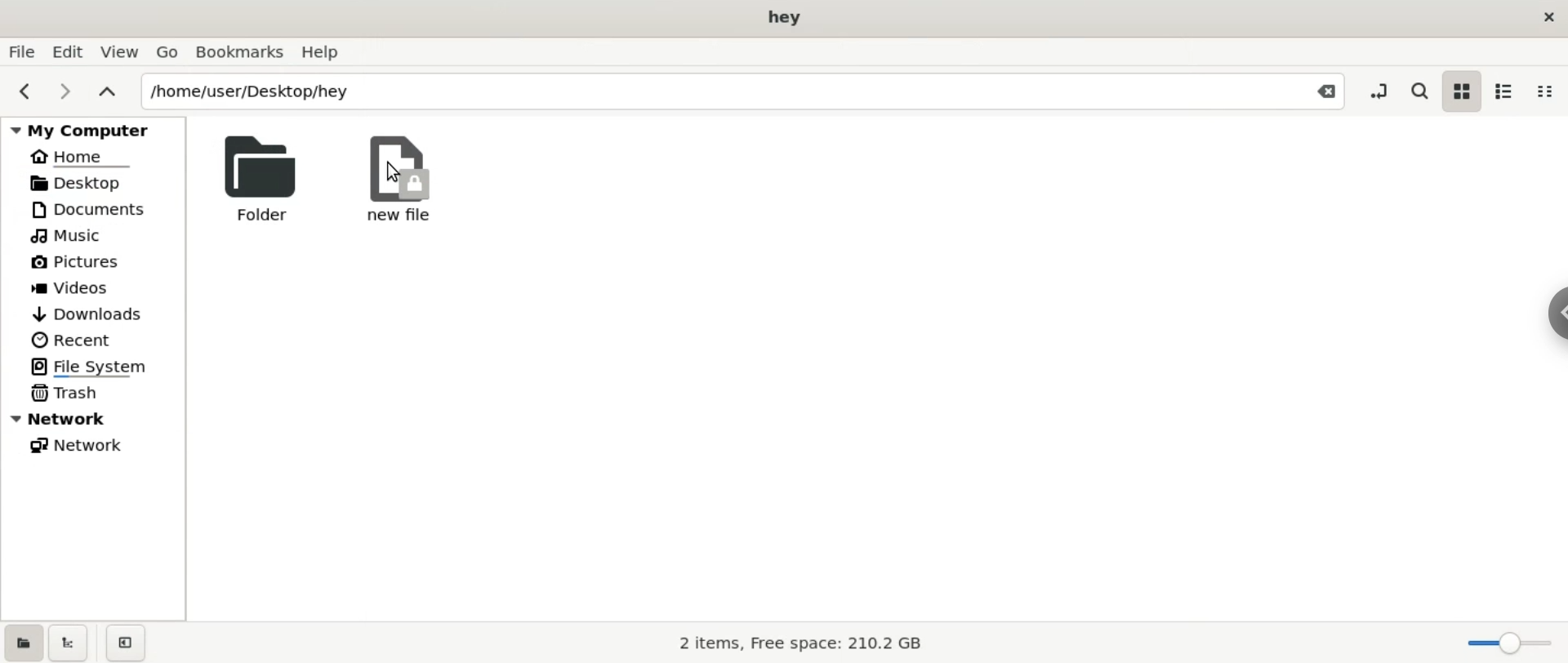  Describe the element at coordinates (395, 172) in the screenshot. I see `cursor` at that location.